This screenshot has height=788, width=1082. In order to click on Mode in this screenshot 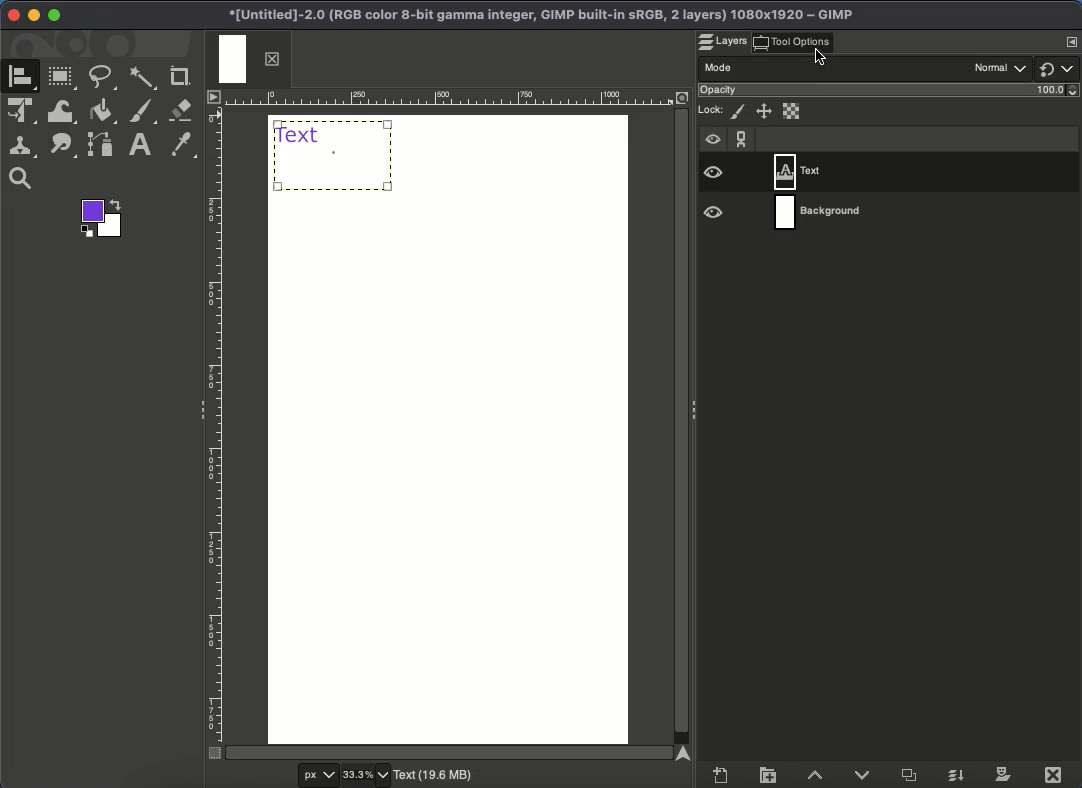, I will do `click(834, 68)`.